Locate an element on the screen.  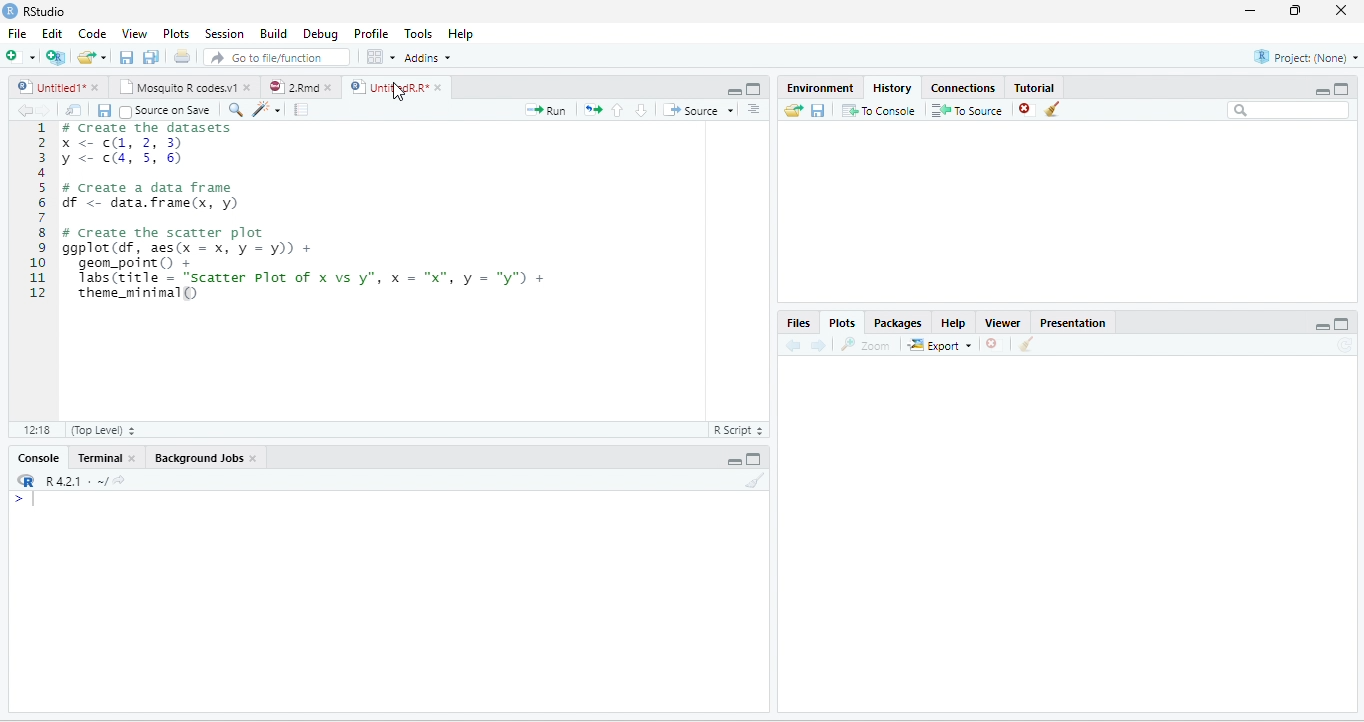
Create a project is located at coordinates (57, 55).